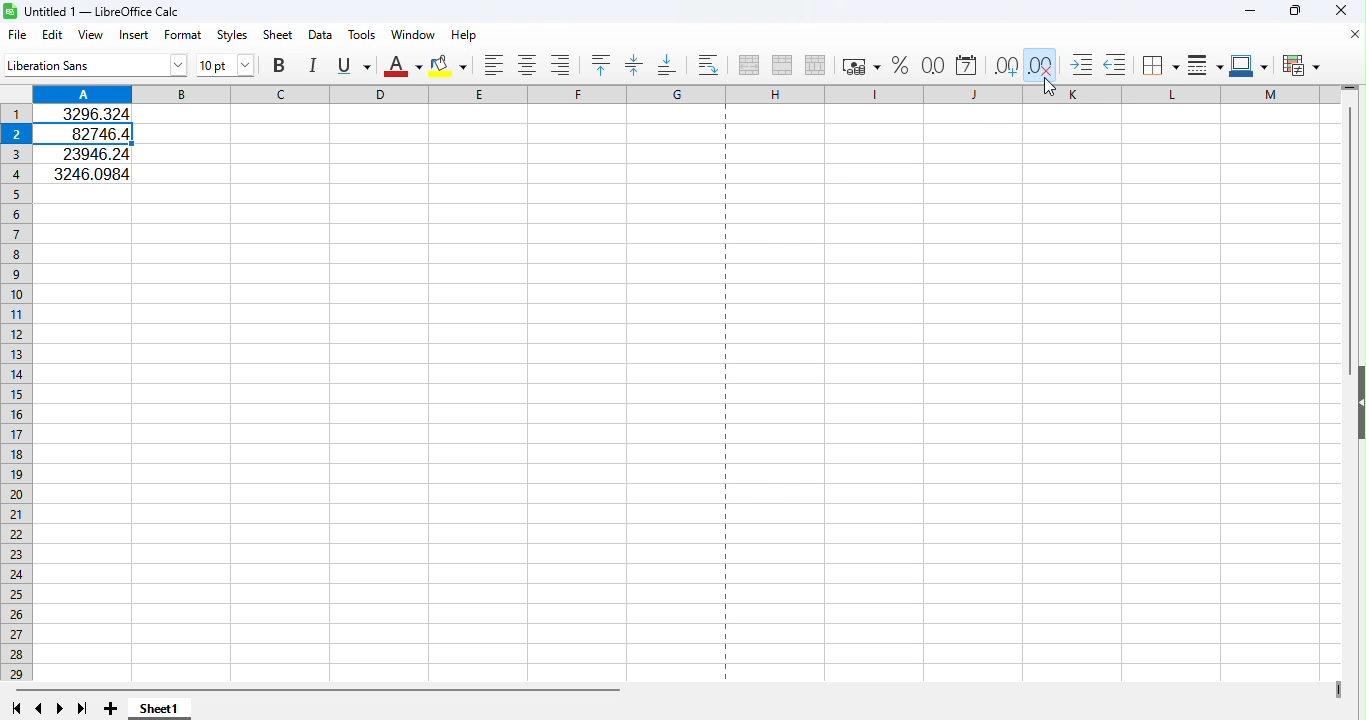  What do you see at coordinates (17, 708) in the screenshot?
I see `Scroll to first sheet` at bounding box center [17, 708].